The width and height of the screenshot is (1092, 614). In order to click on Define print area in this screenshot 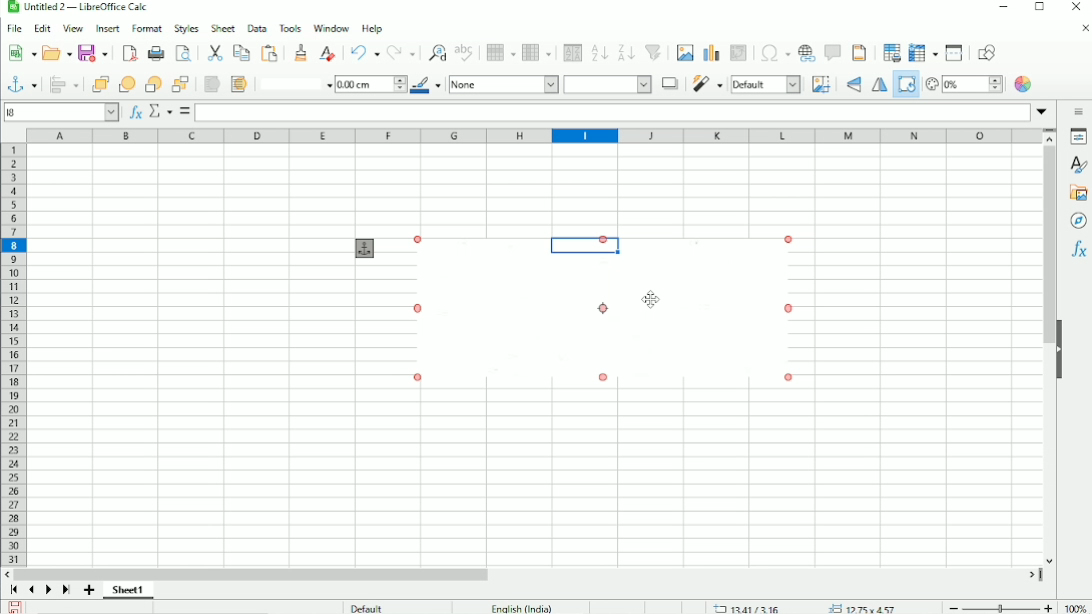, I will do `click(892, 52)`.